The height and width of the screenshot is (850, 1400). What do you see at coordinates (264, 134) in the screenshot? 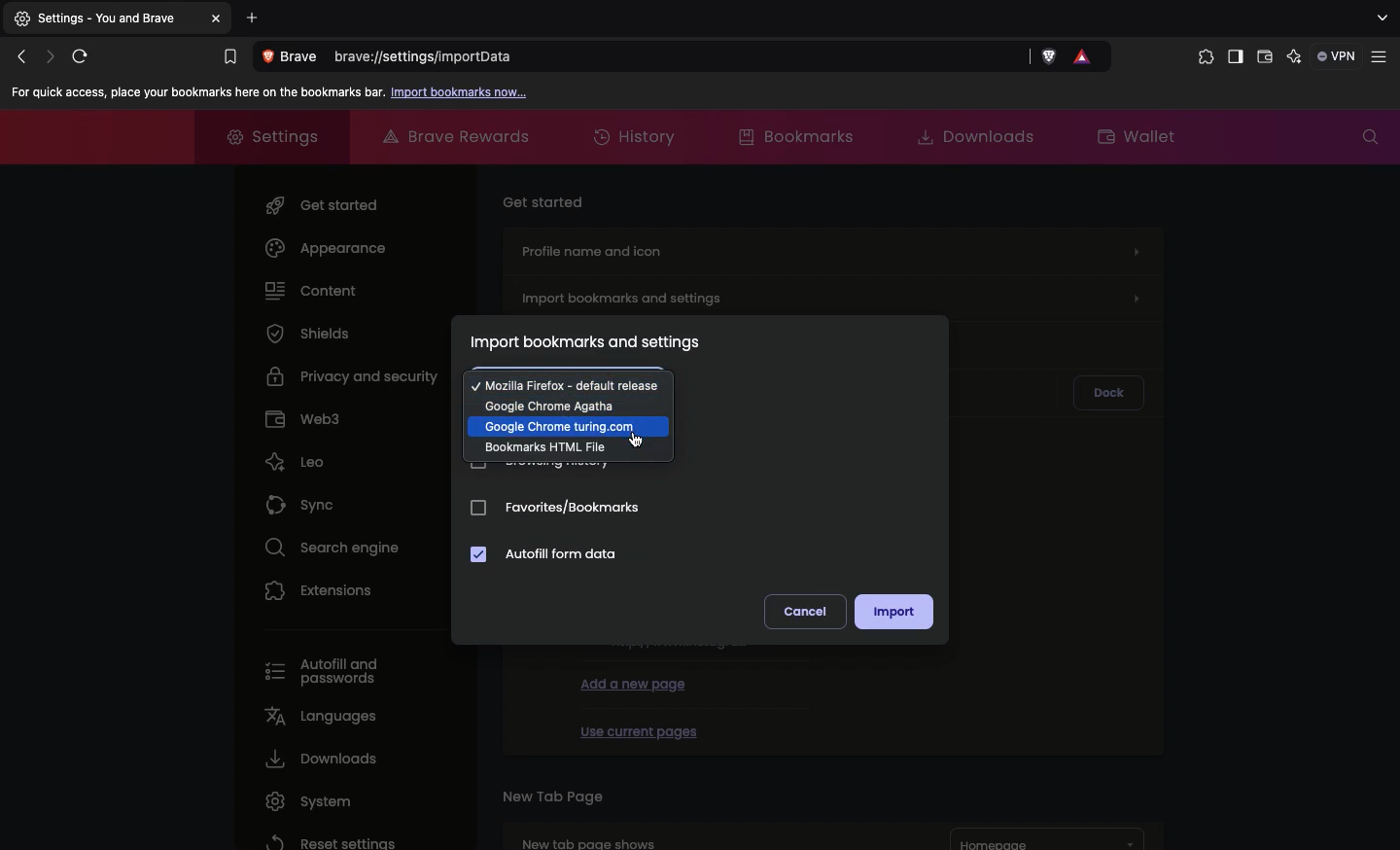
I see `Settings` at bounding box center [264, 134].